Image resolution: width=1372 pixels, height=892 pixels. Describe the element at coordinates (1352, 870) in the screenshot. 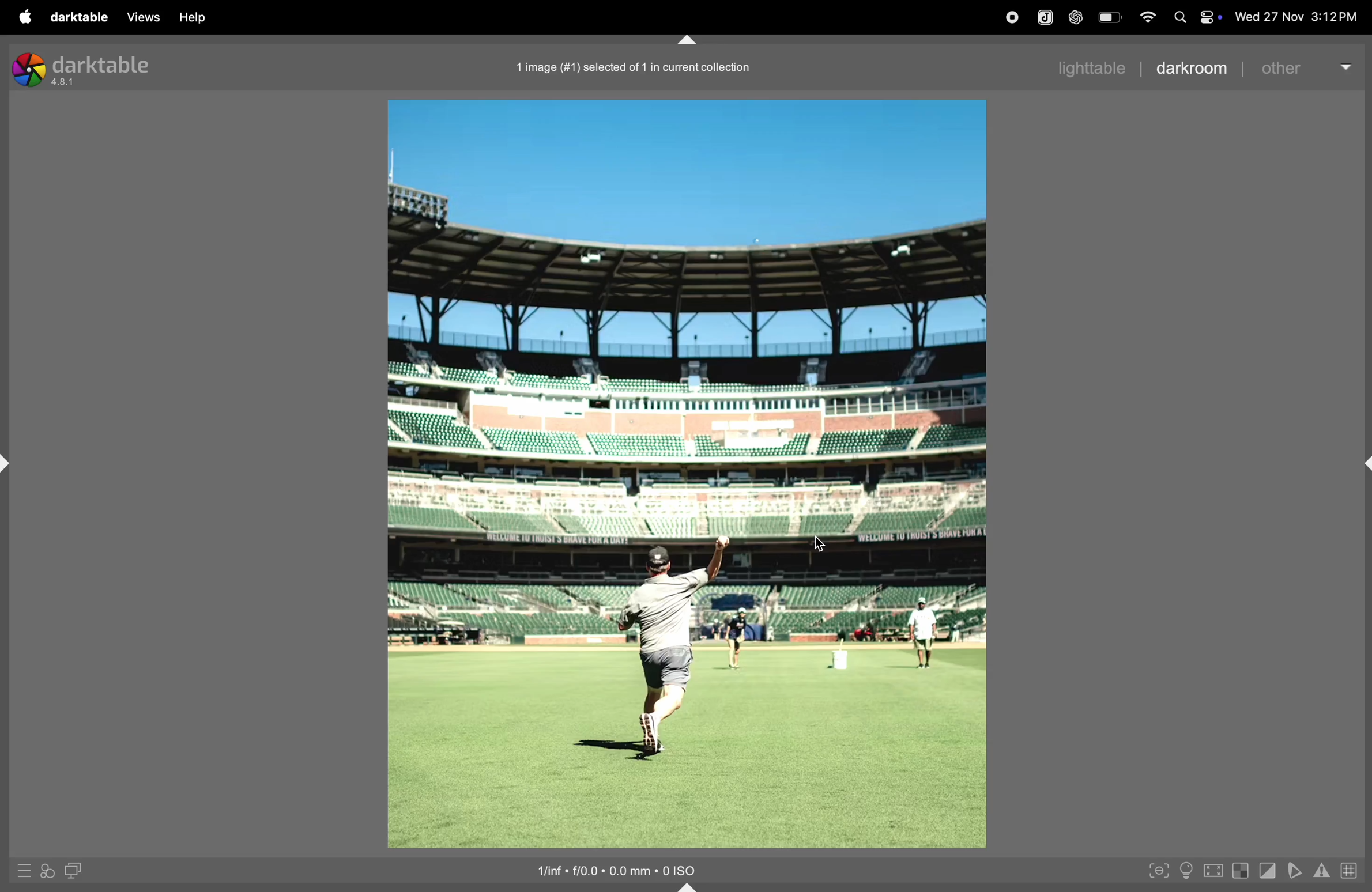

I see `grid` at that location.